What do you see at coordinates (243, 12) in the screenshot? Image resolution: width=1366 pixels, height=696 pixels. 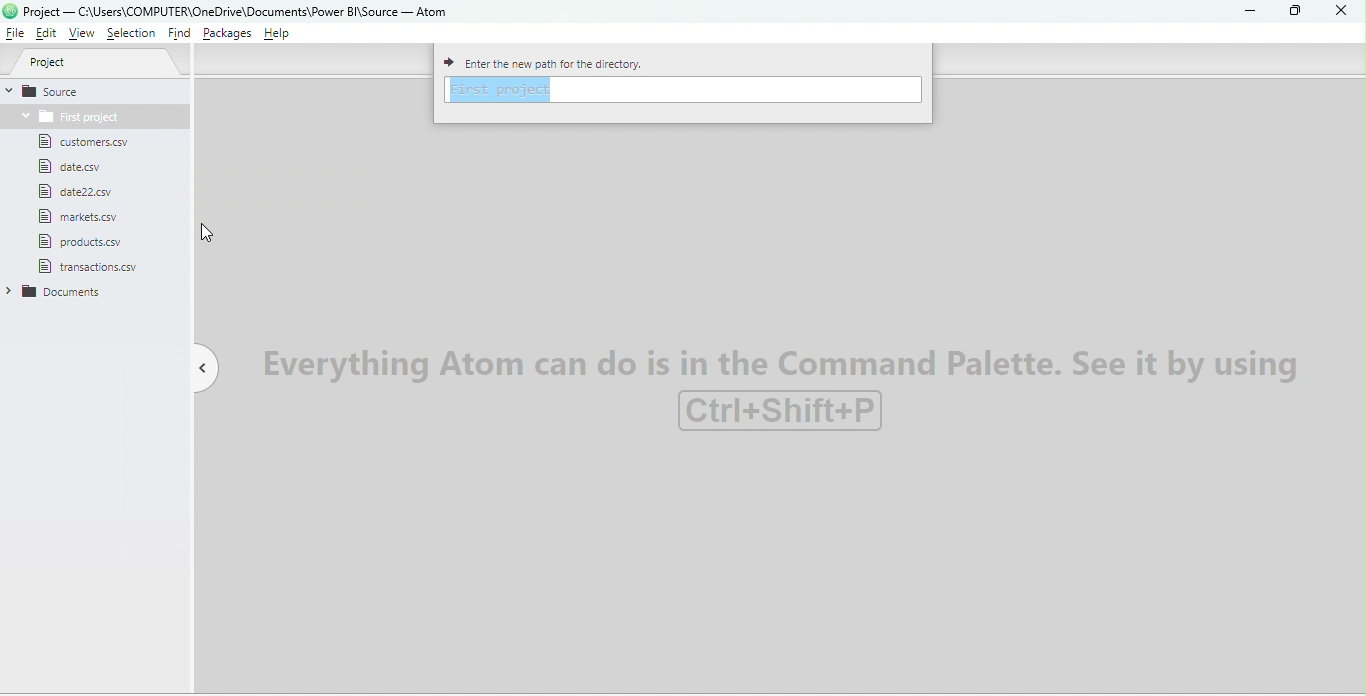 I see `File name` at bounding box center [243, 12].